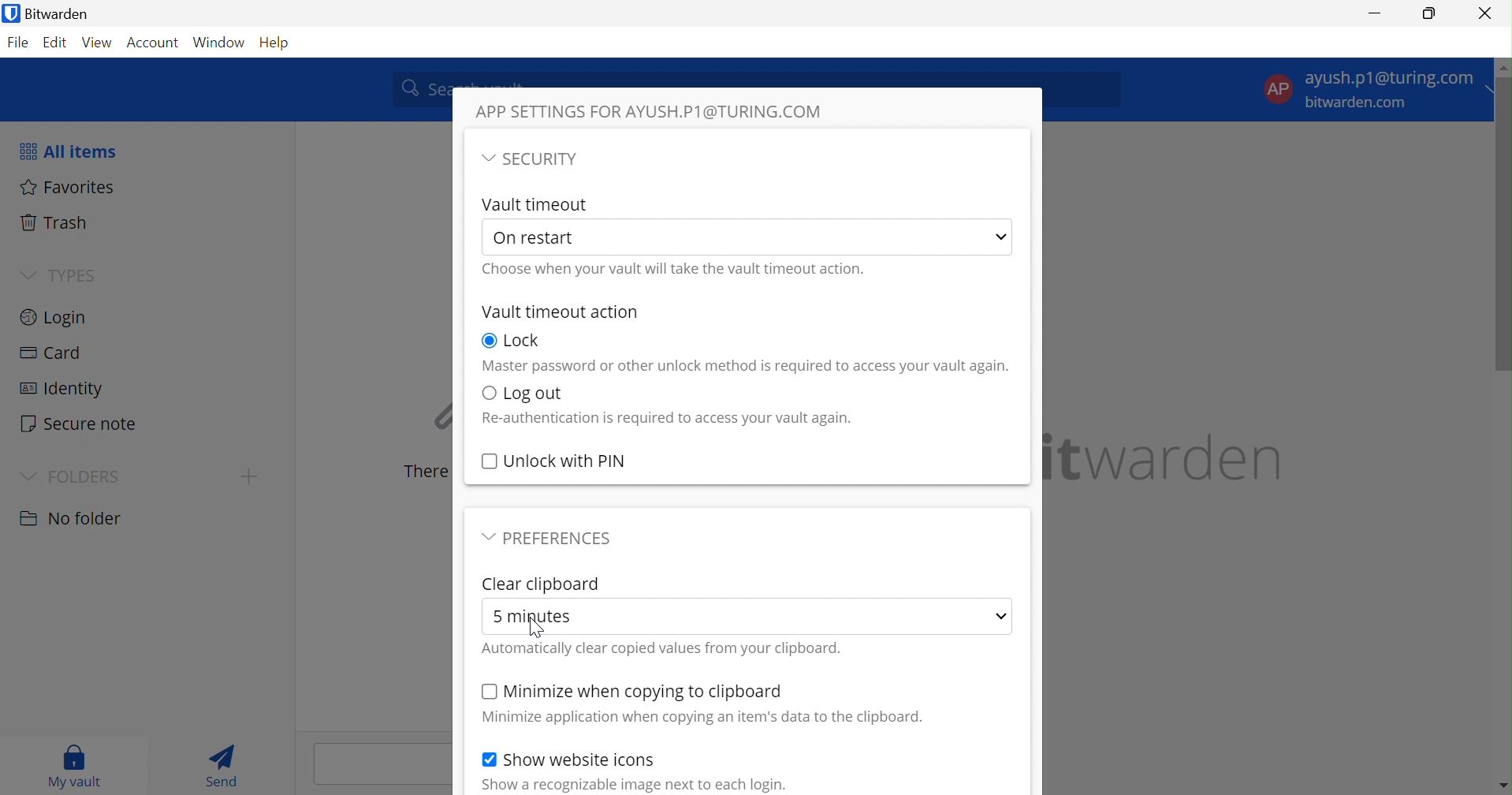  I want to click on Identity, so click(68, 388).